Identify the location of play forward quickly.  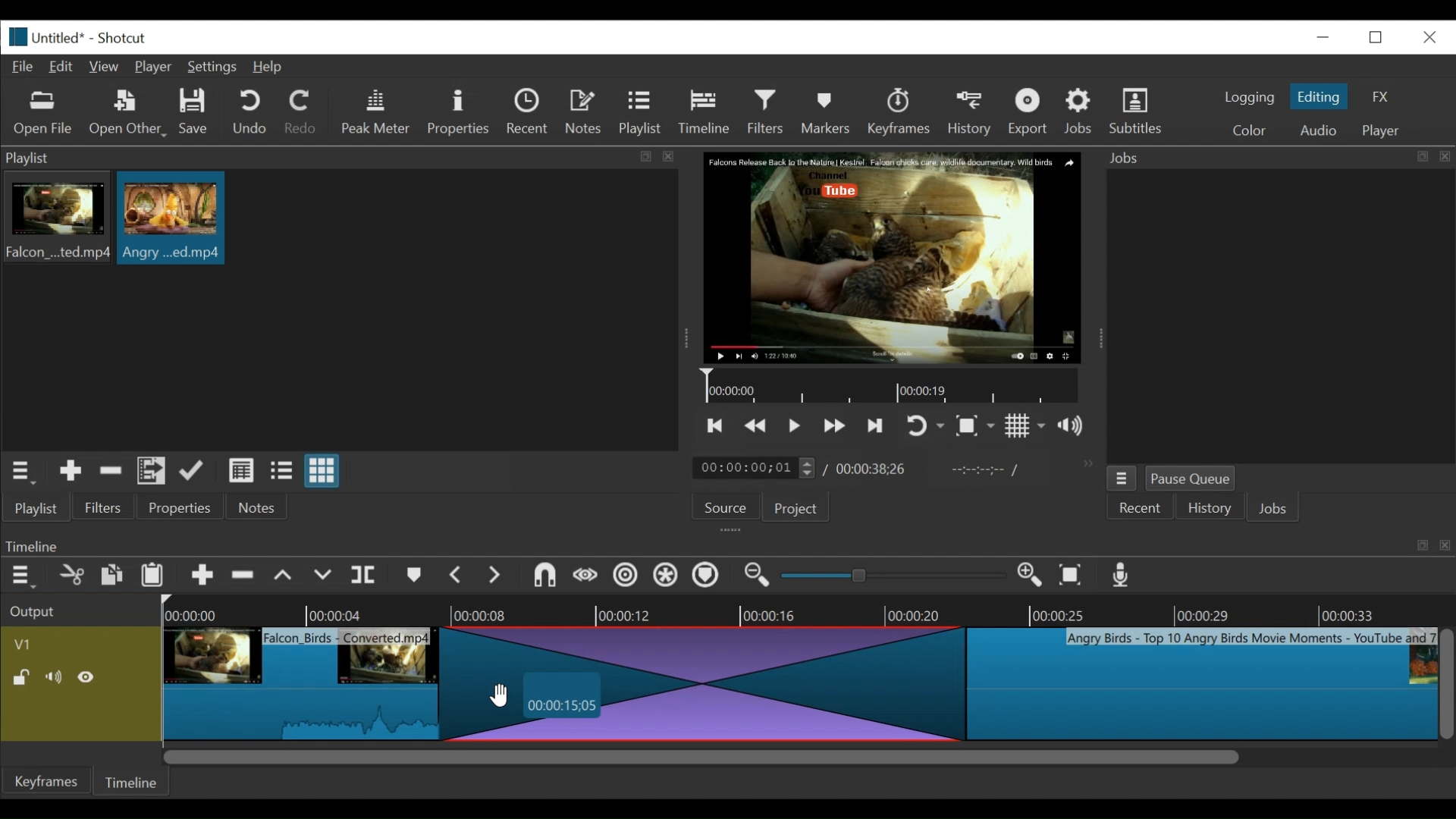
(836, 428).